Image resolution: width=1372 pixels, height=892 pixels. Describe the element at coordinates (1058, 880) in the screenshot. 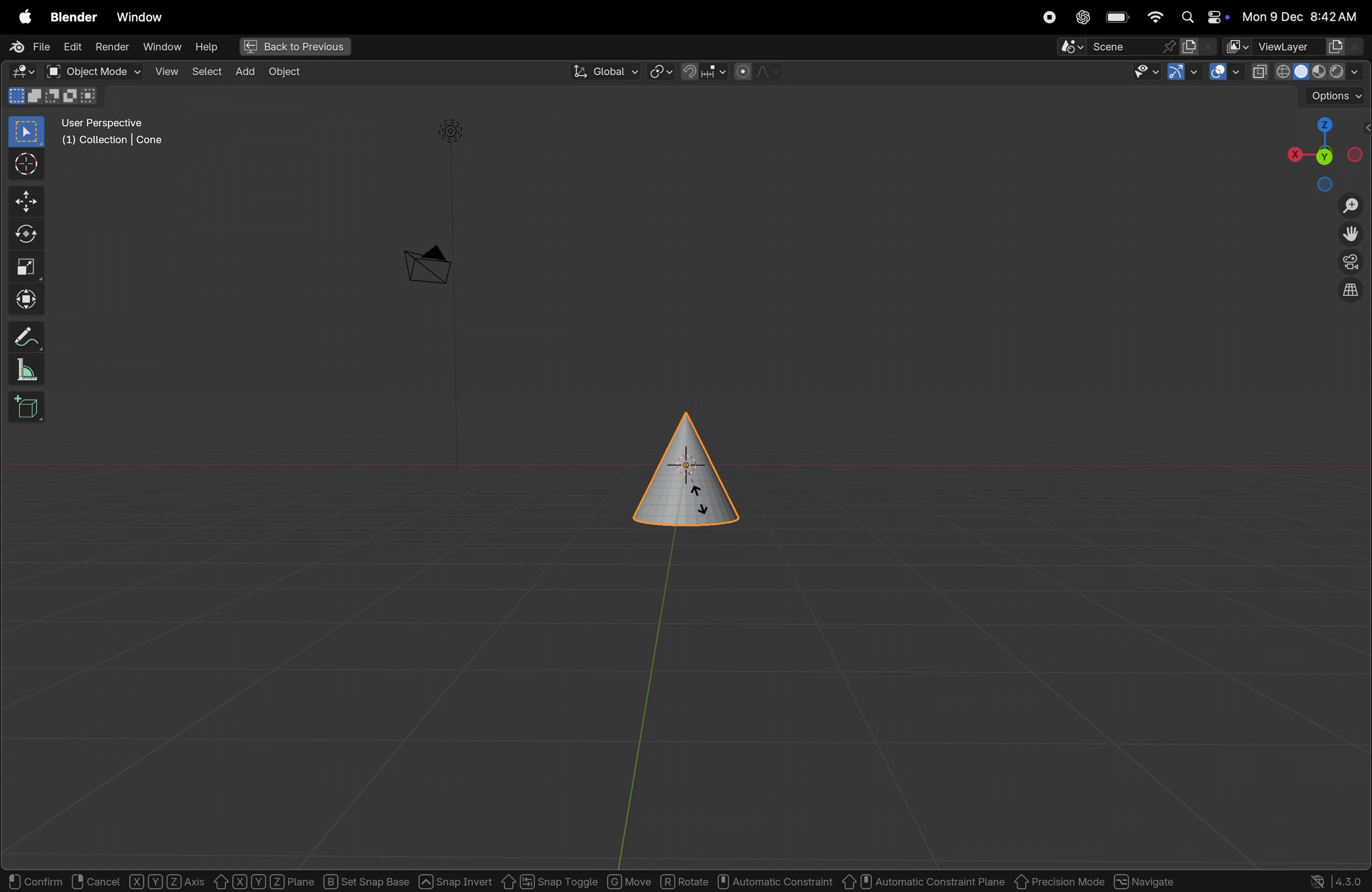

I see `Previous mode` at that location.